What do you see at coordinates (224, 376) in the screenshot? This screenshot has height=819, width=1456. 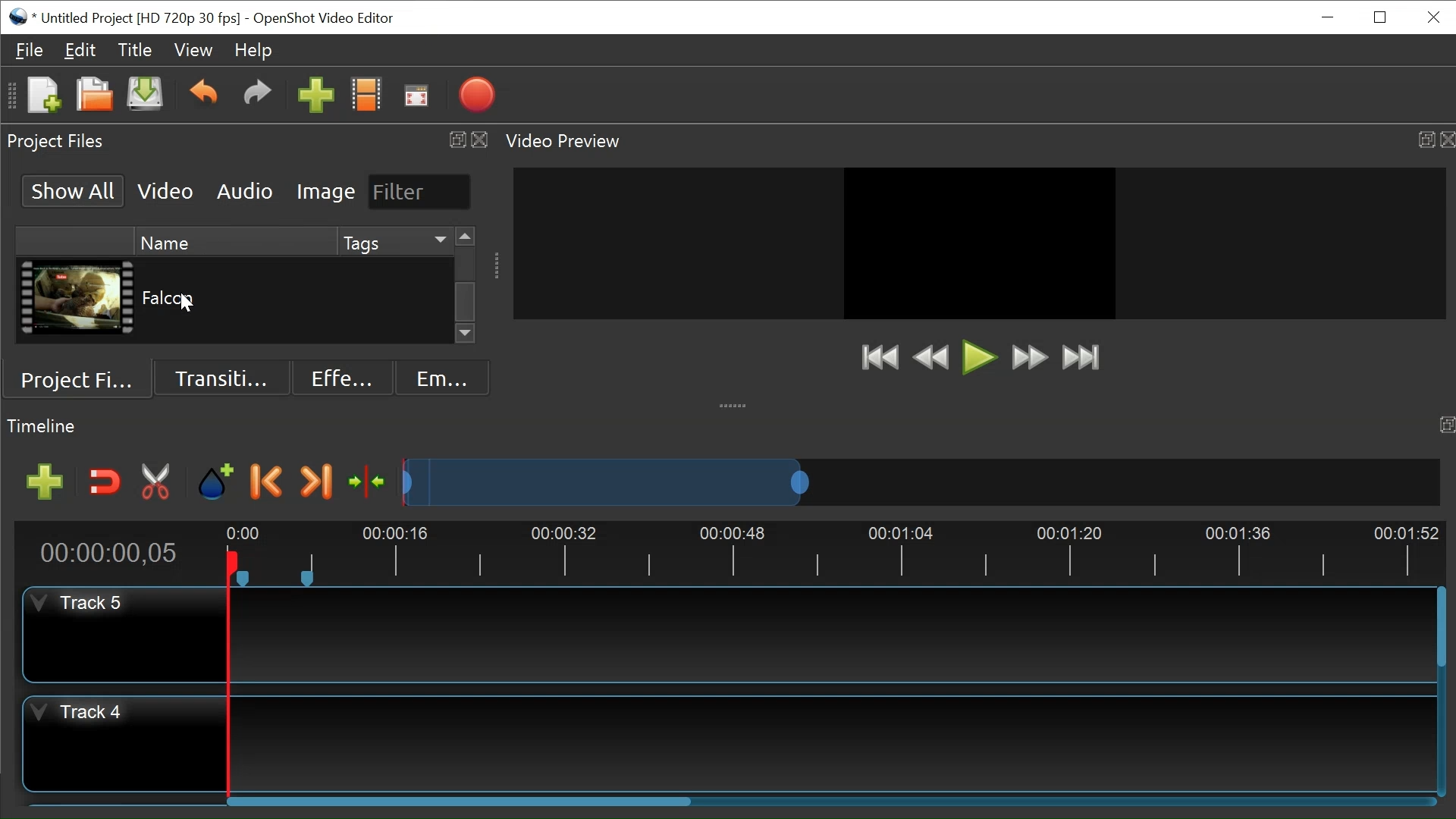 I see `Transition` at bounding box center [224, 376].